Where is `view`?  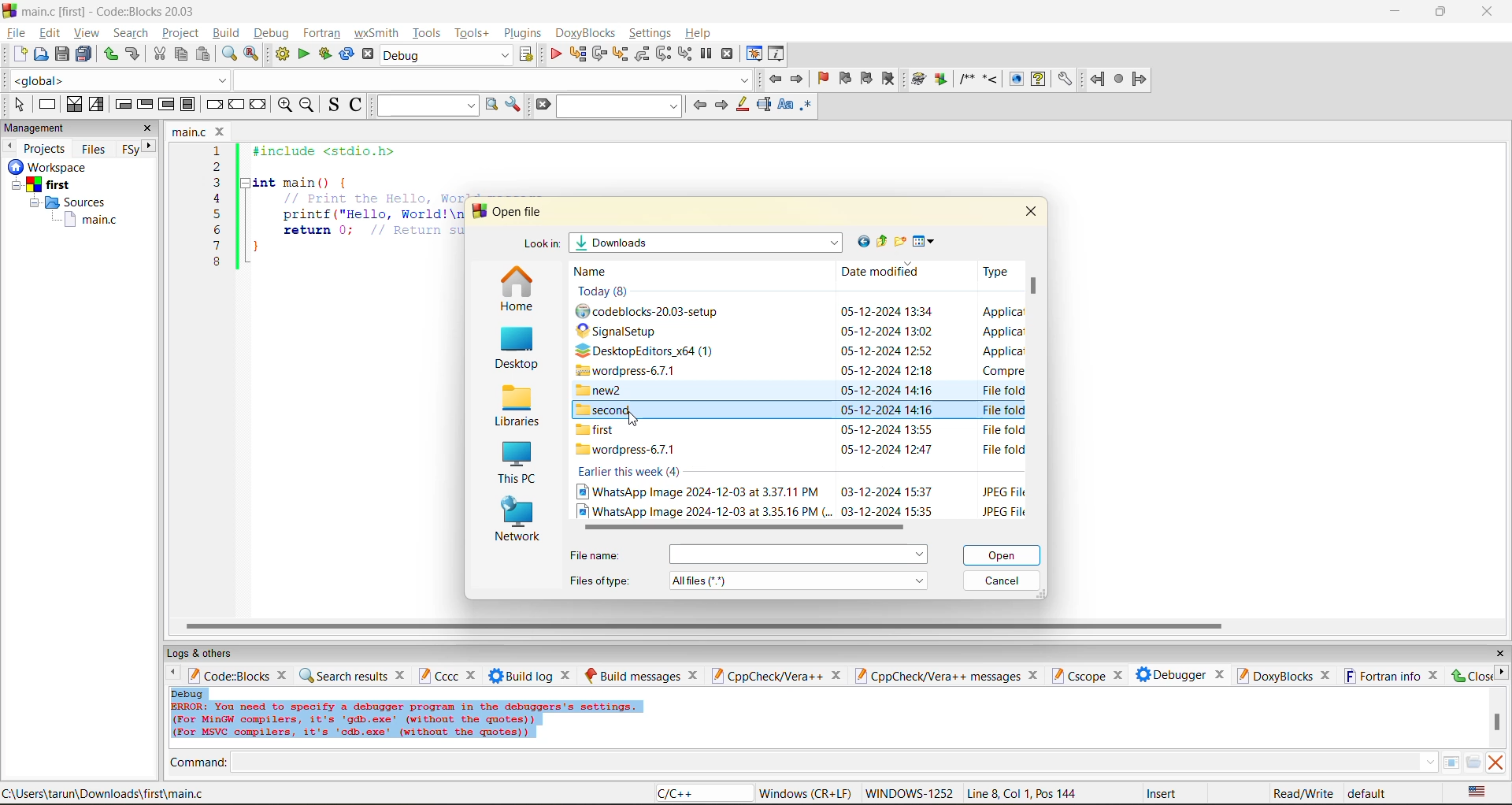 view is located at coordinates (88, 32).